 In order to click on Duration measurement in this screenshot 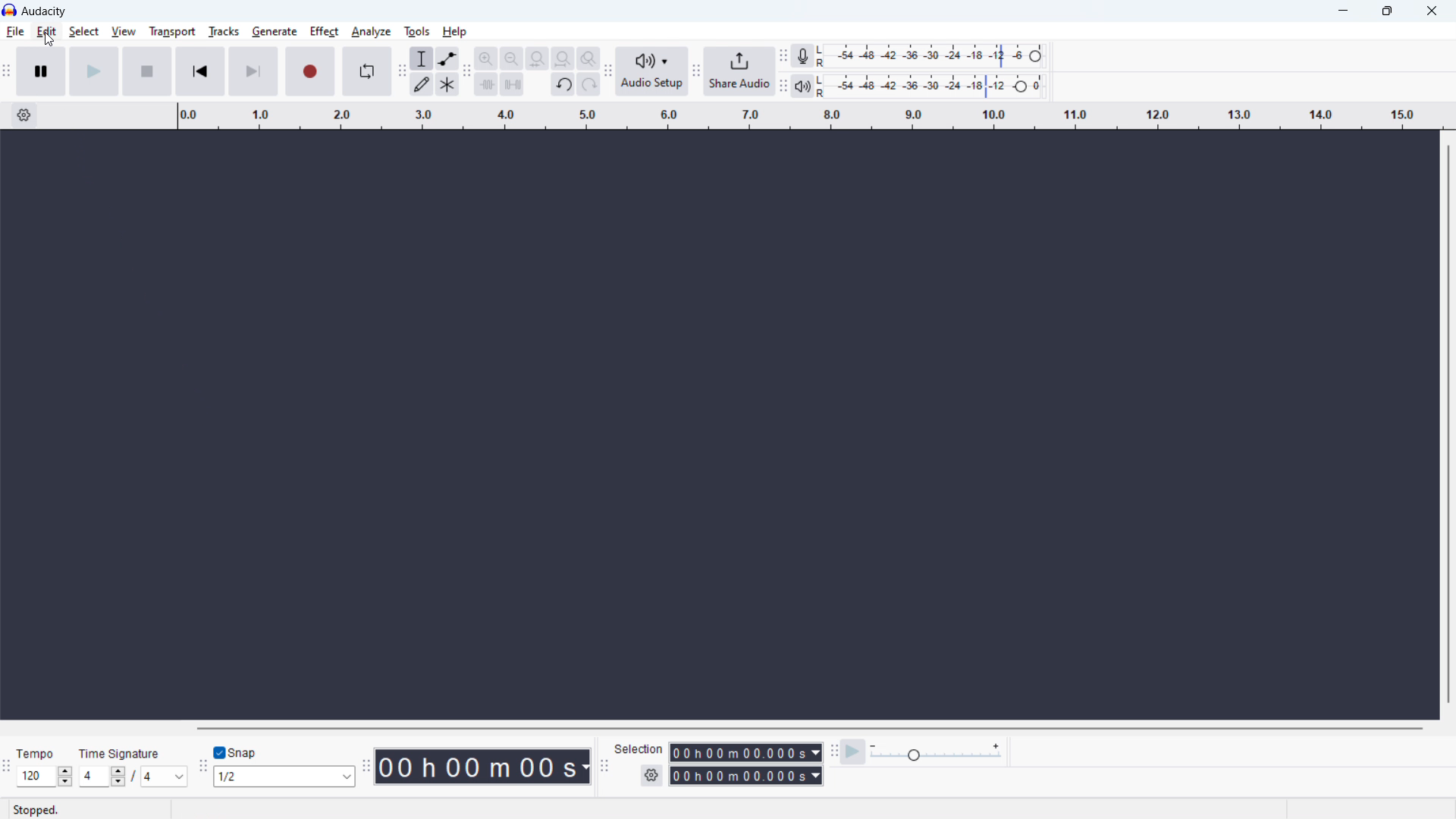, I will do `click(815, 776)`.